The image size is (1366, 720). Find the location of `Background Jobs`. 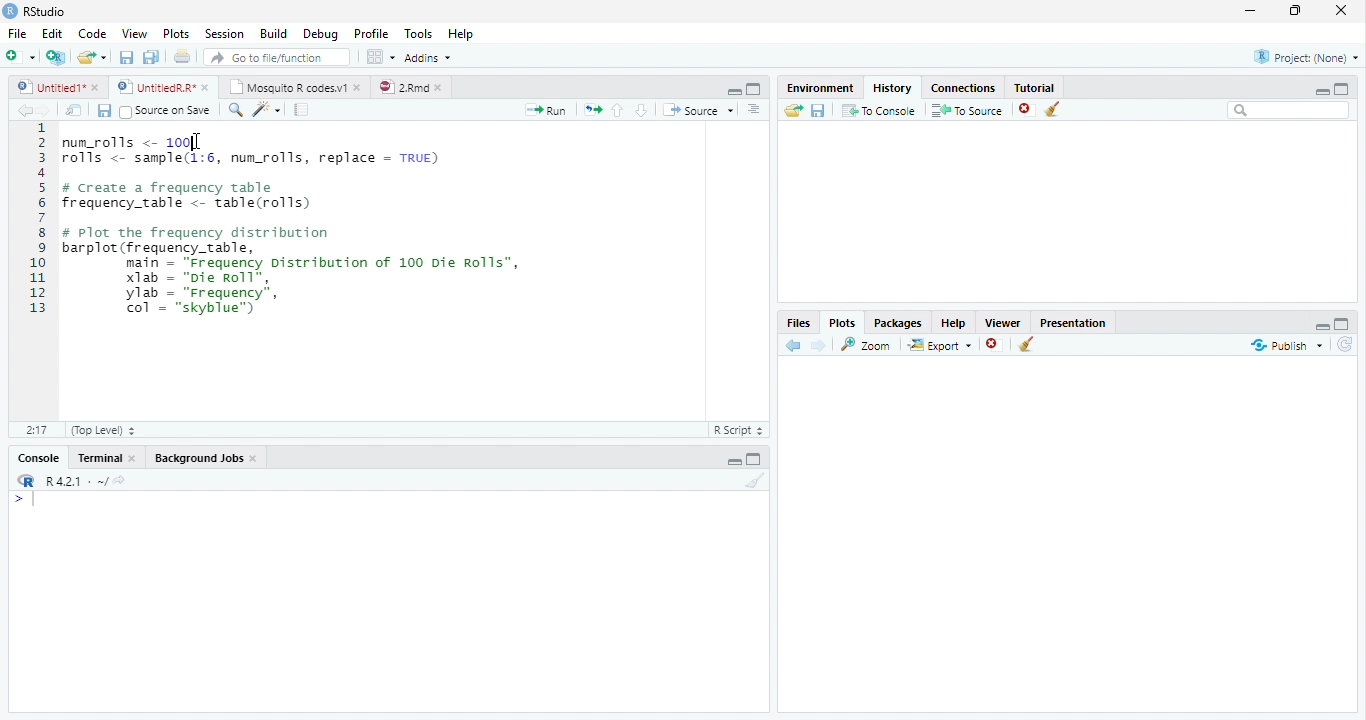

Background Jobs is located at coordinates (207, 456).